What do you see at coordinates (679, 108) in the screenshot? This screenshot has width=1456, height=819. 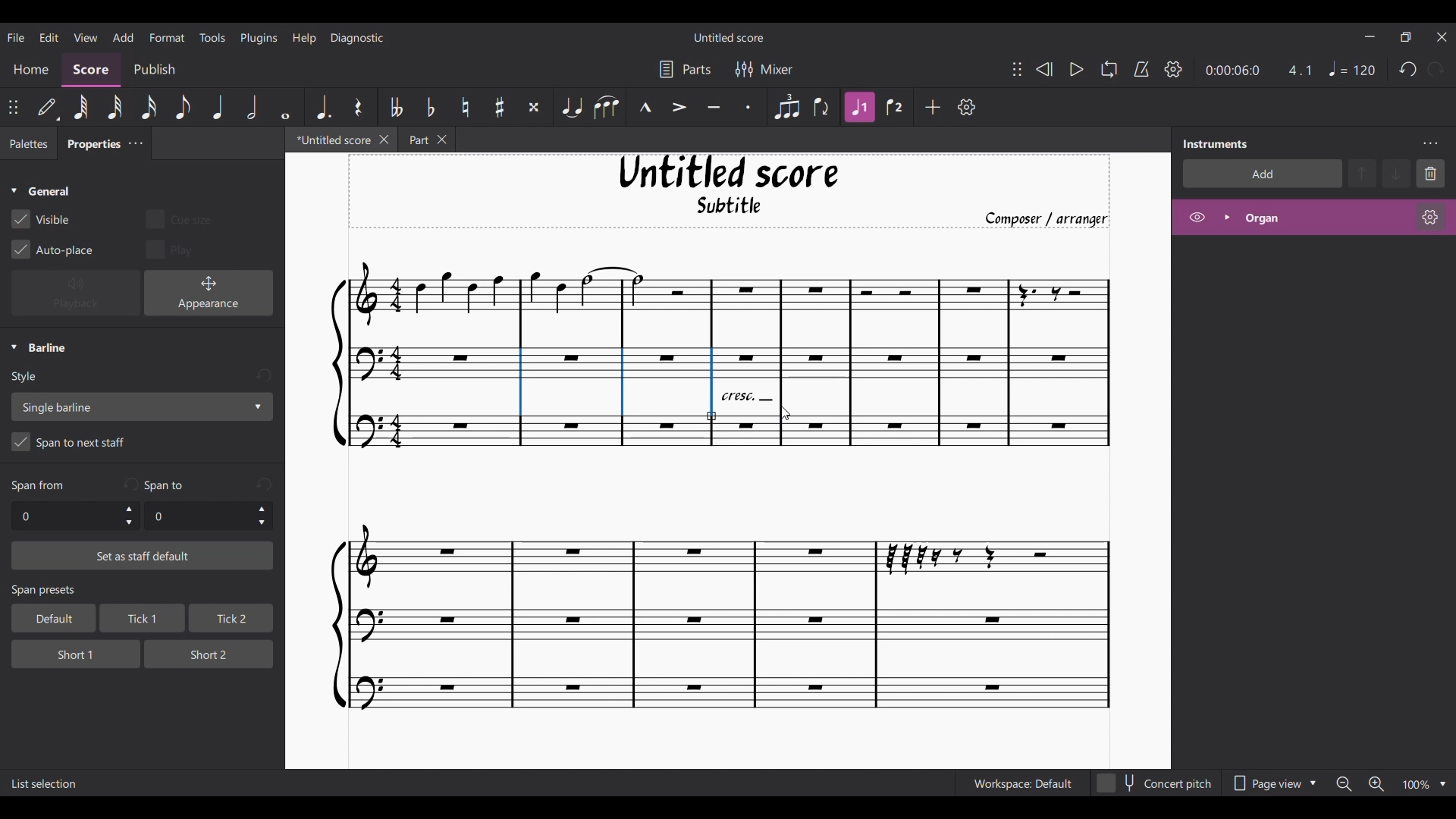 I see `Accent` at bounding box center [679, 108].